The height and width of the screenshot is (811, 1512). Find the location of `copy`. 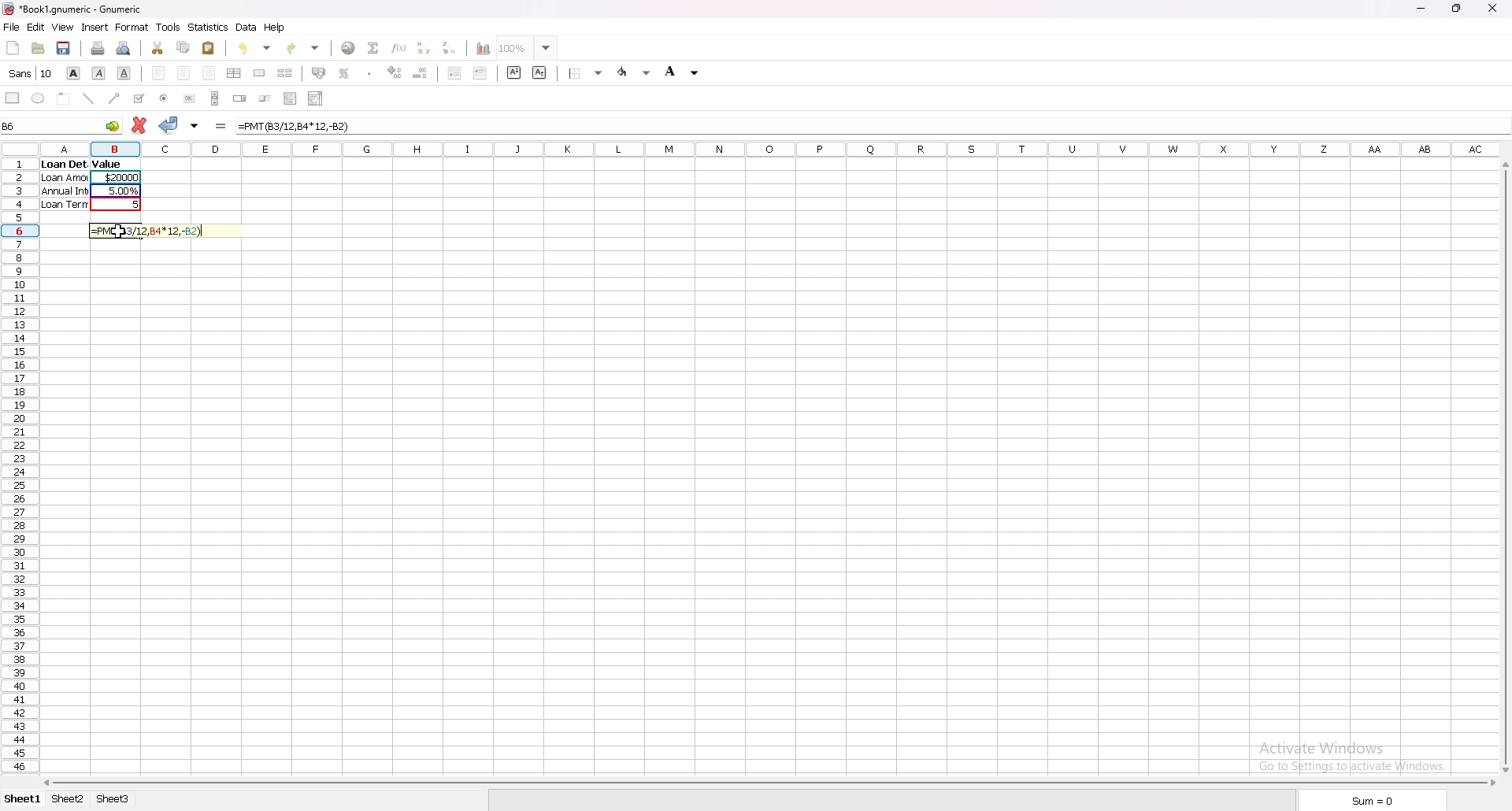

copy is located at coordinates (183, 48).